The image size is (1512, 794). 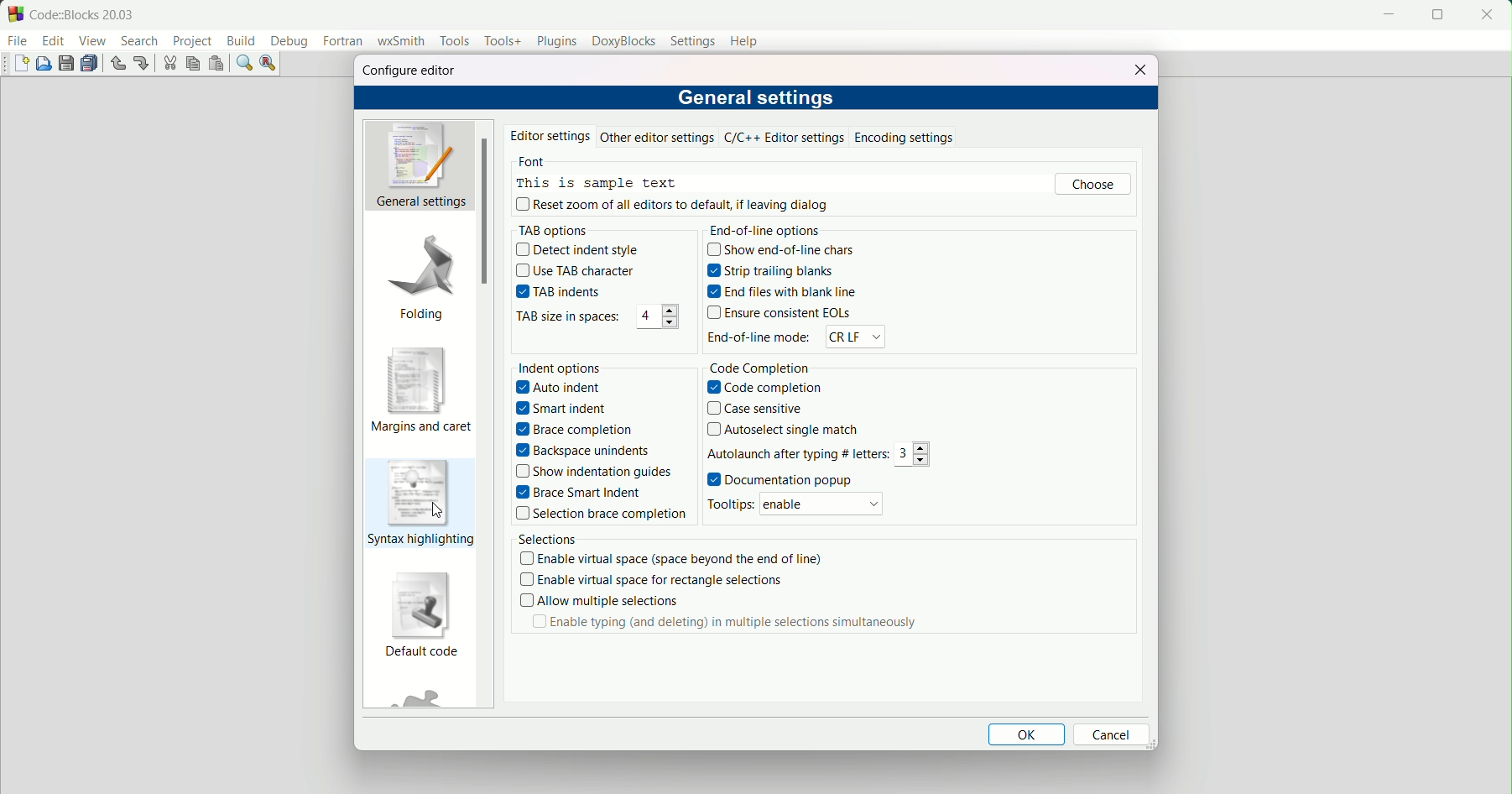 I want to click on default code, so click(x=421, y=616).